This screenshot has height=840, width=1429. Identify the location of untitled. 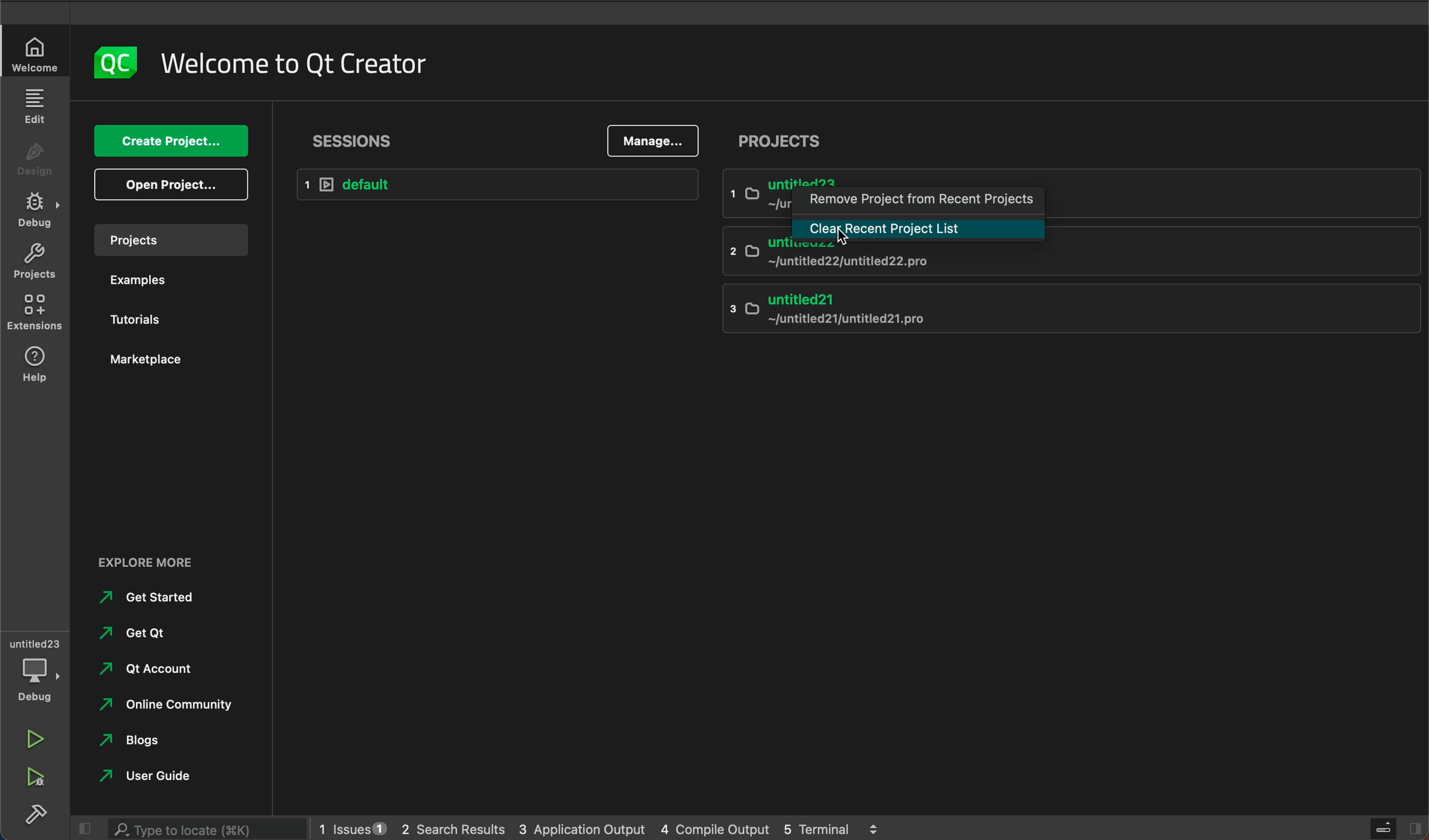
(1069, 308).